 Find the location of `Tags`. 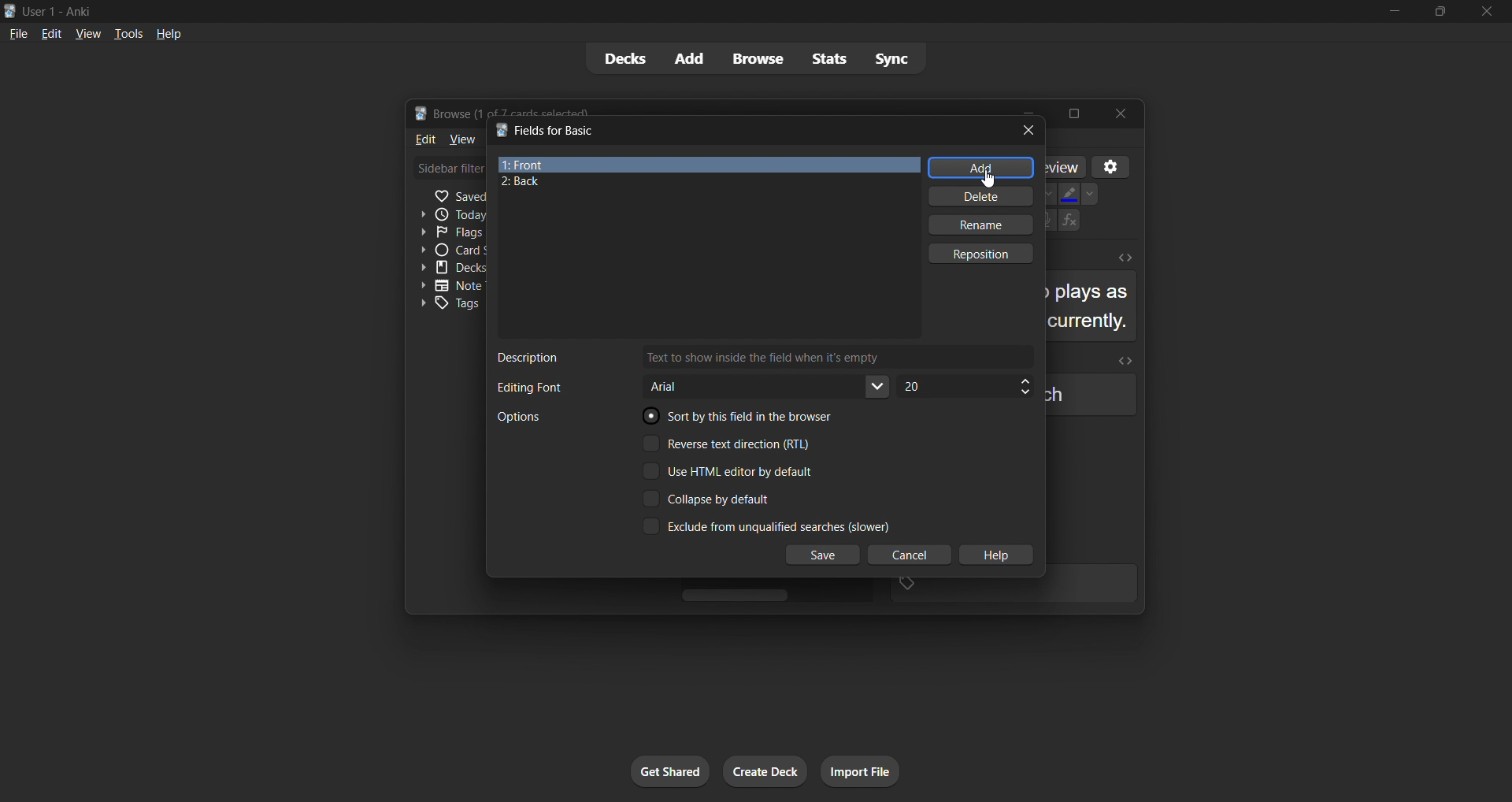

Tags is located at coordinates (449, 305).